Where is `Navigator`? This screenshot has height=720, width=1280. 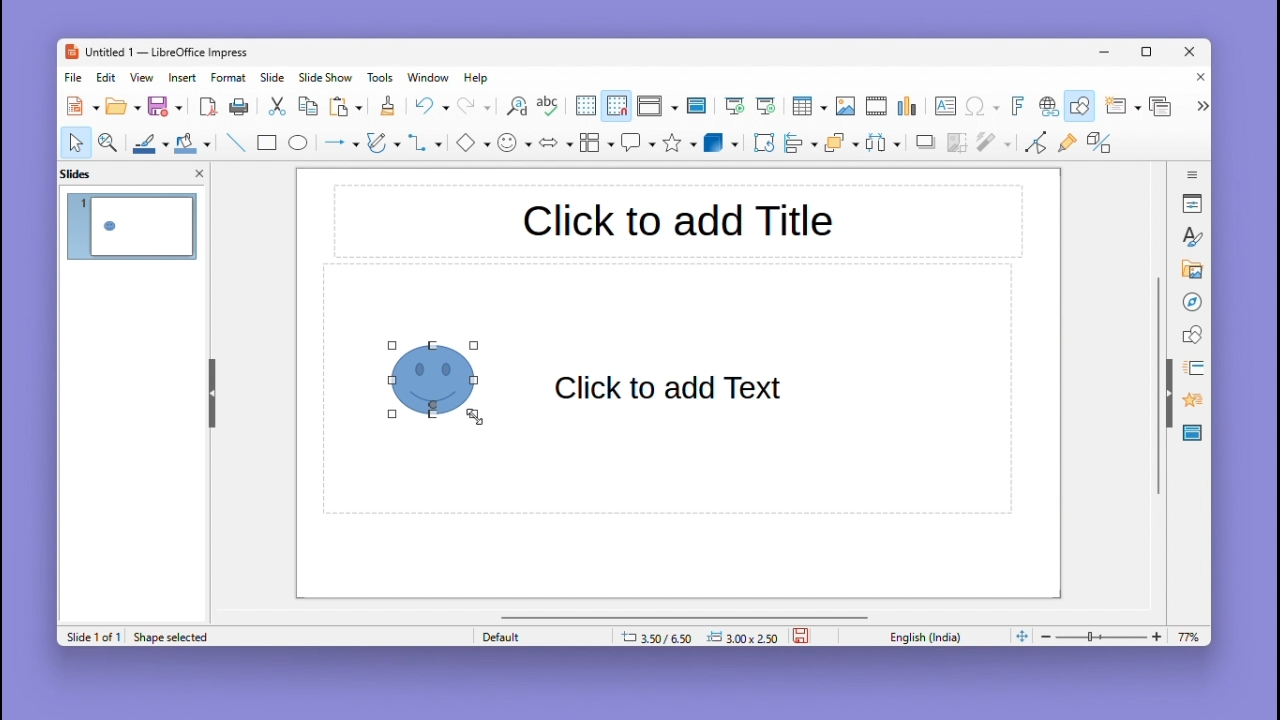 Navigator is located at coordinates (1192, 300).